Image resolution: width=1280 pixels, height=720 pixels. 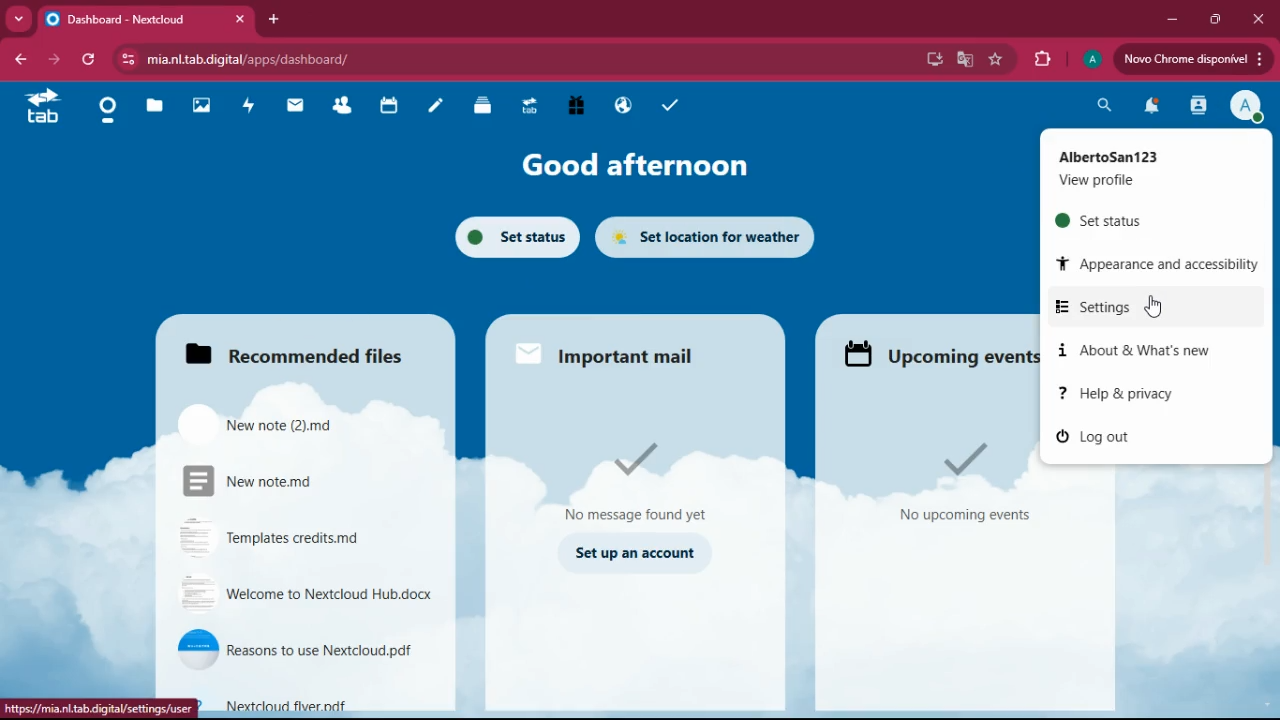 I want to click on files, so click(x=154, y=108).